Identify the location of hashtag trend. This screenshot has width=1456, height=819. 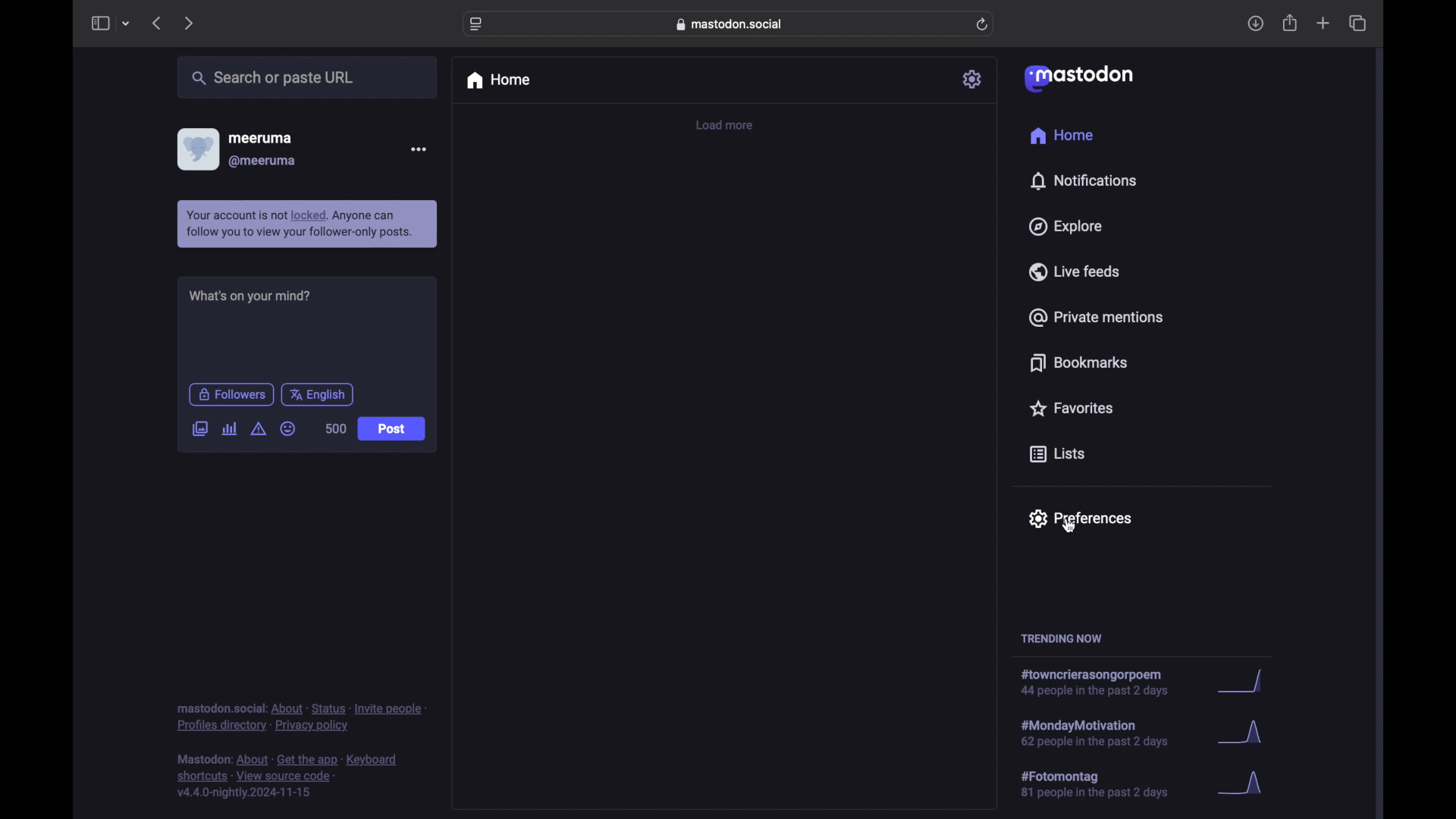
(1142, 683).